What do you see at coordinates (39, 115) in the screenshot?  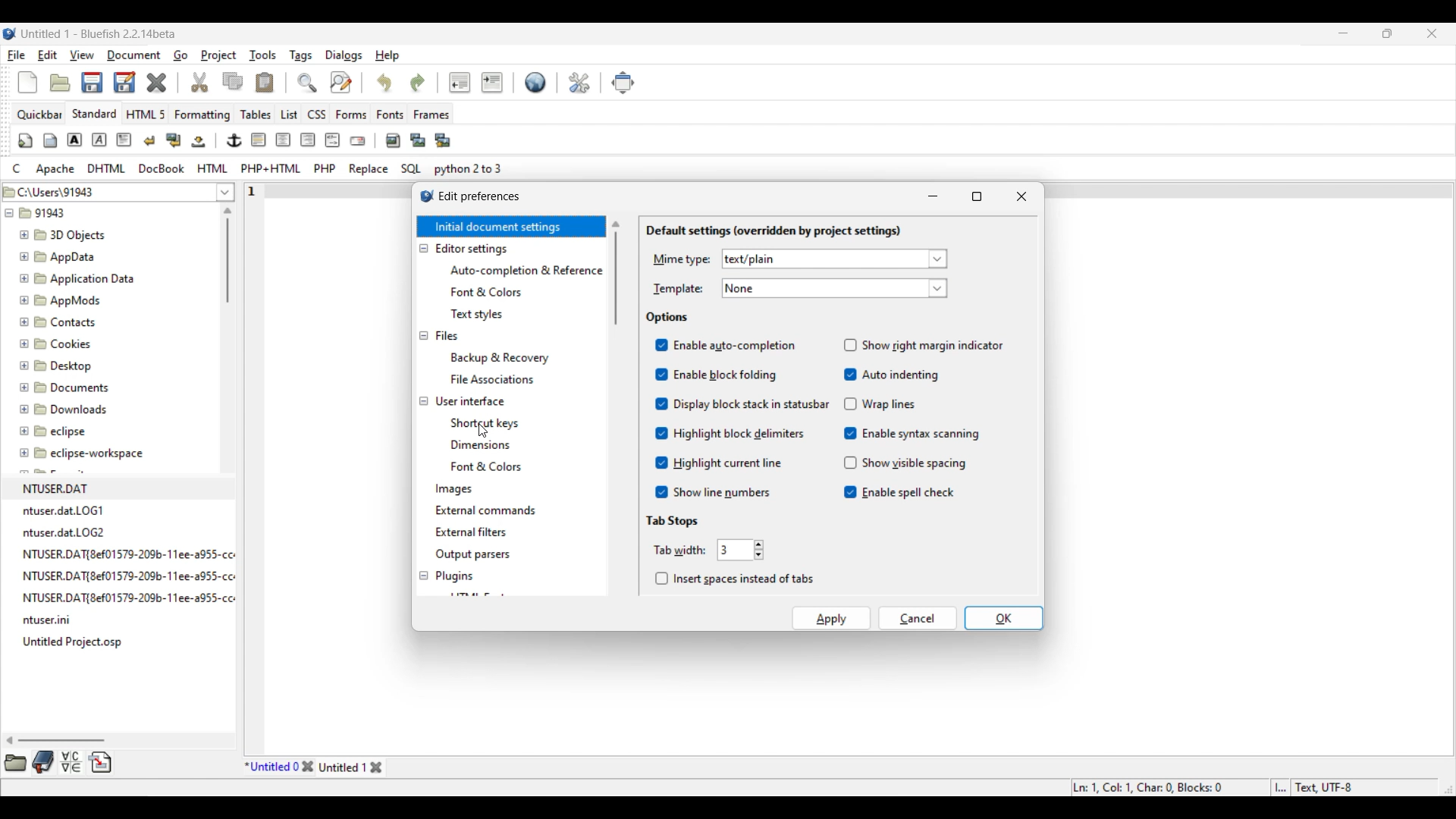 I see `Quickbar` at bounding box center [39, 115].